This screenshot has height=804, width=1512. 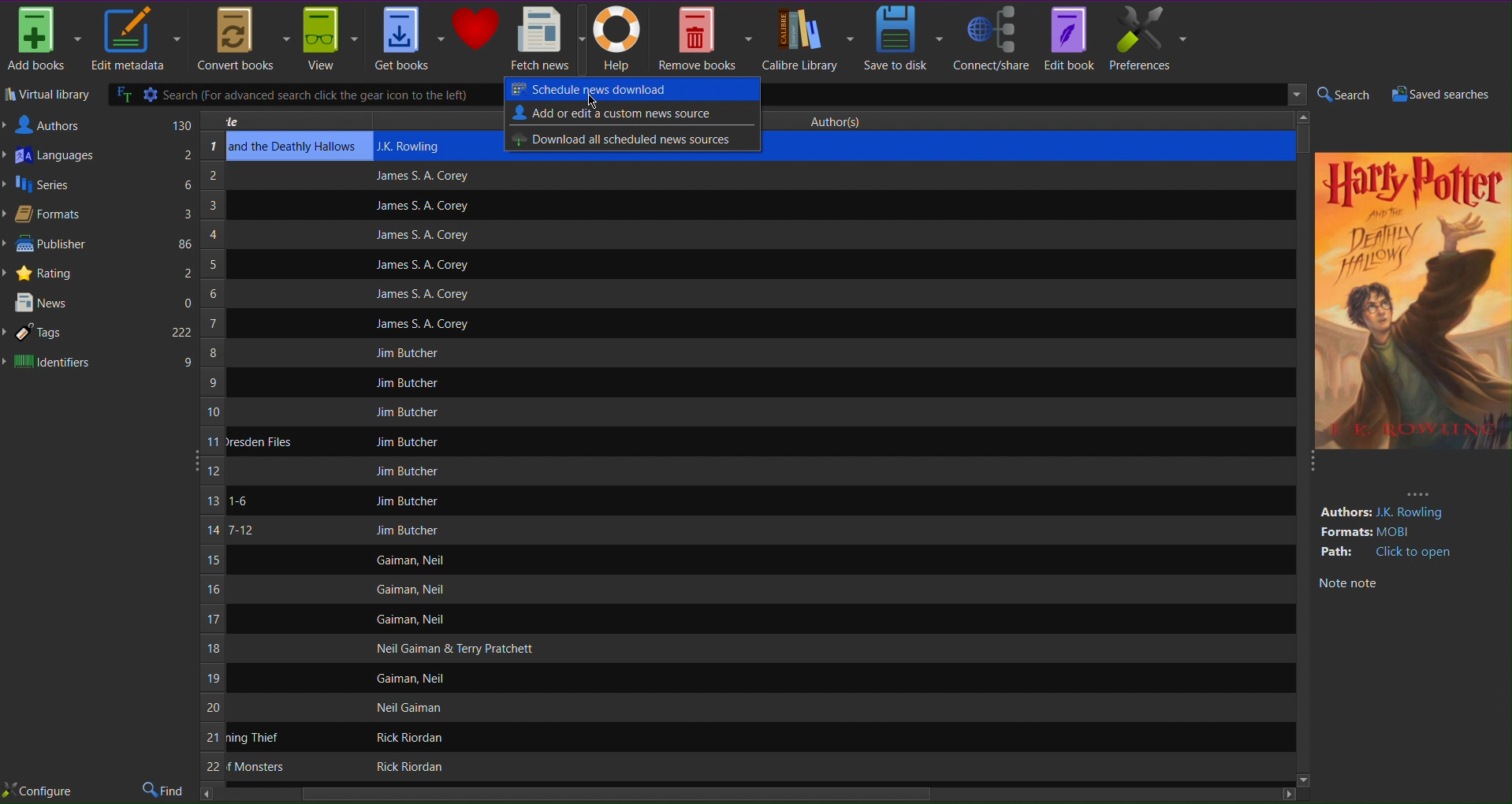 What do you see at coordinates (409, 560) in the screenshot?
I see `Gaiman, Neil` at bounding box center [409, 560].